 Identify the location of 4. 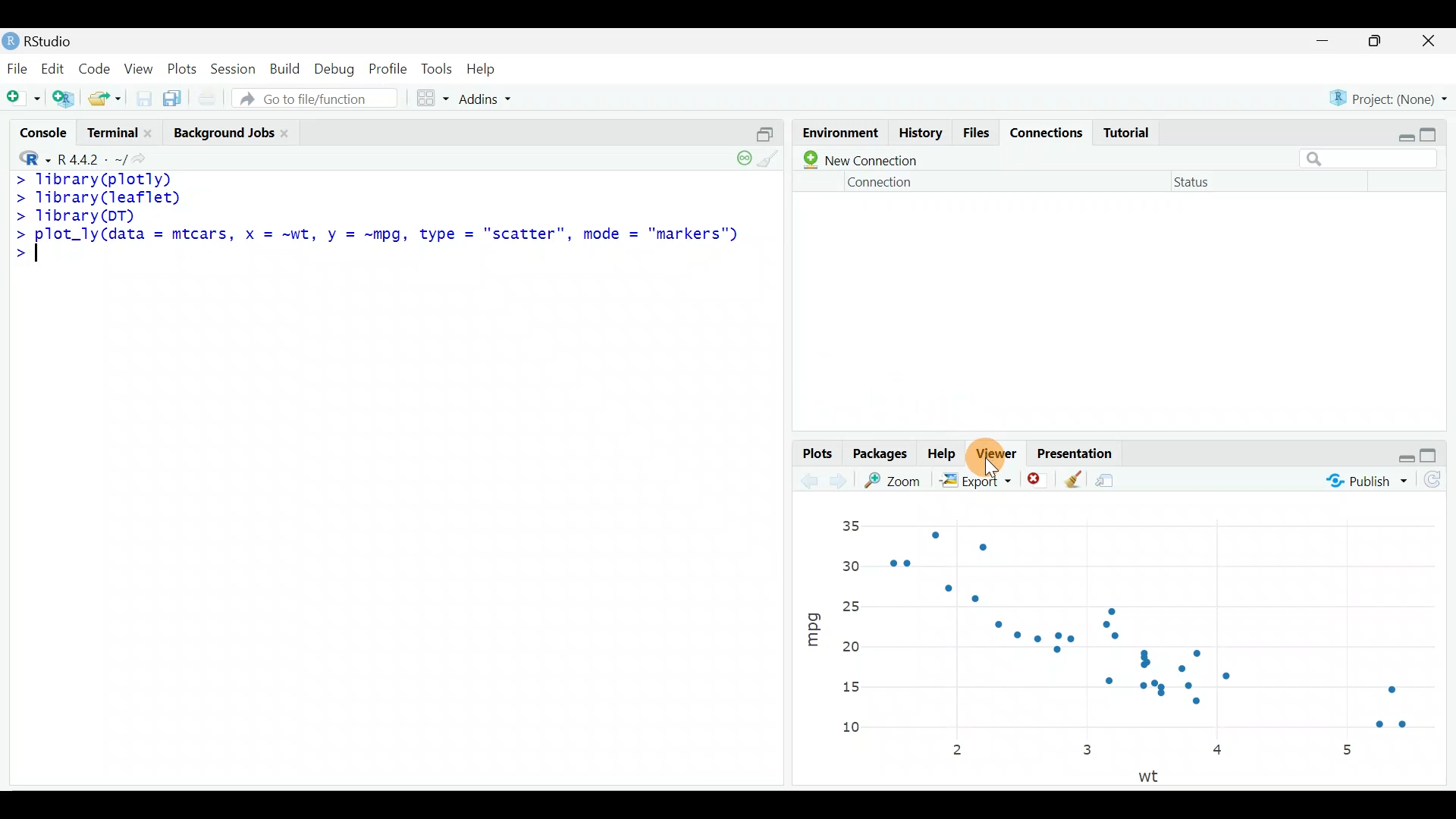
(1219, 749).